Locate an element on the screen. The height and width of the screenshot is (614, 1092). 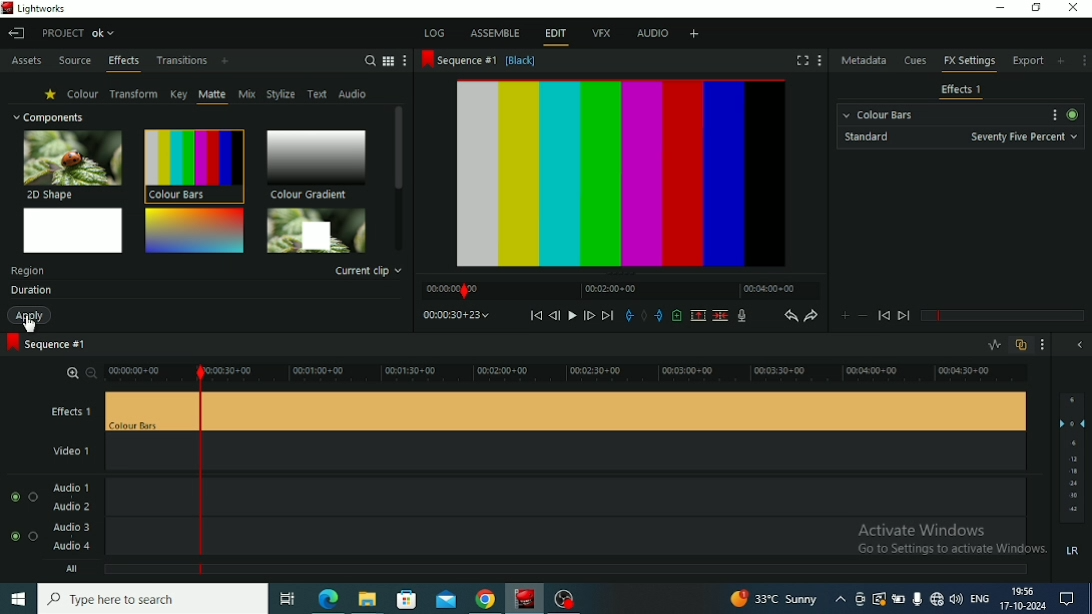
record a voice-over is located at coordinates (742, 316).